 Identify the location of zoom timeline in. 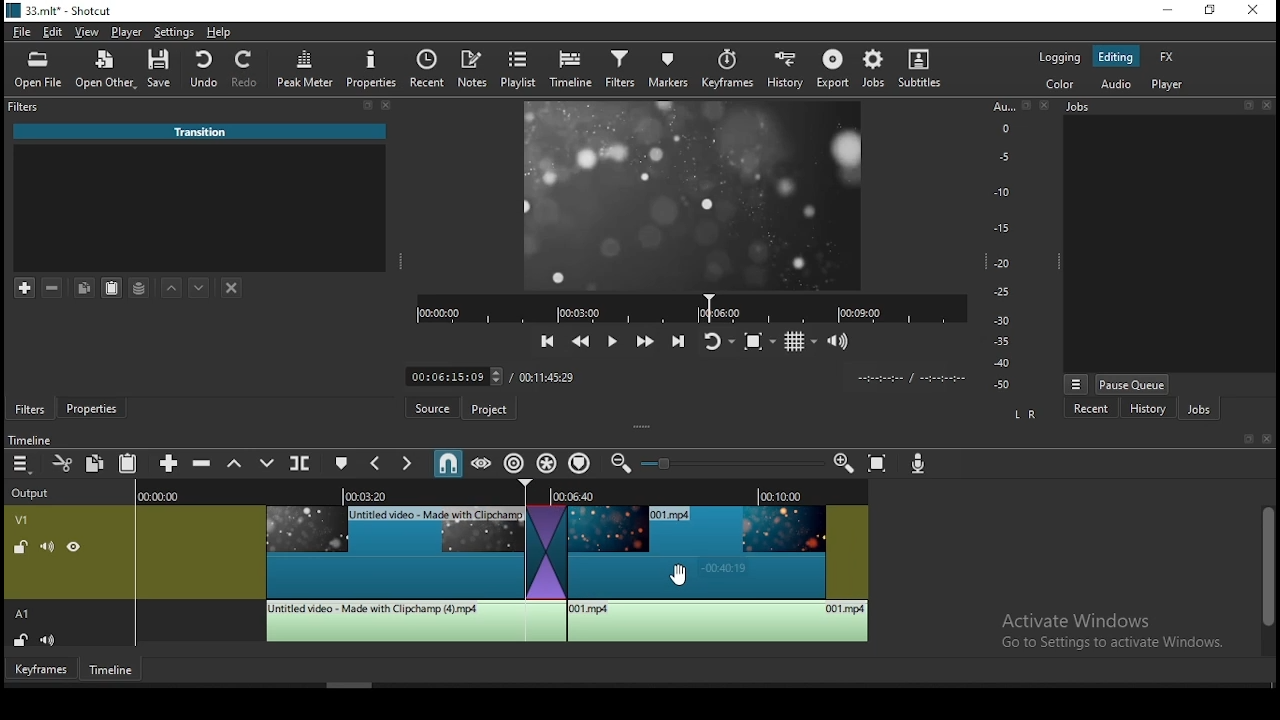
(845, 464).